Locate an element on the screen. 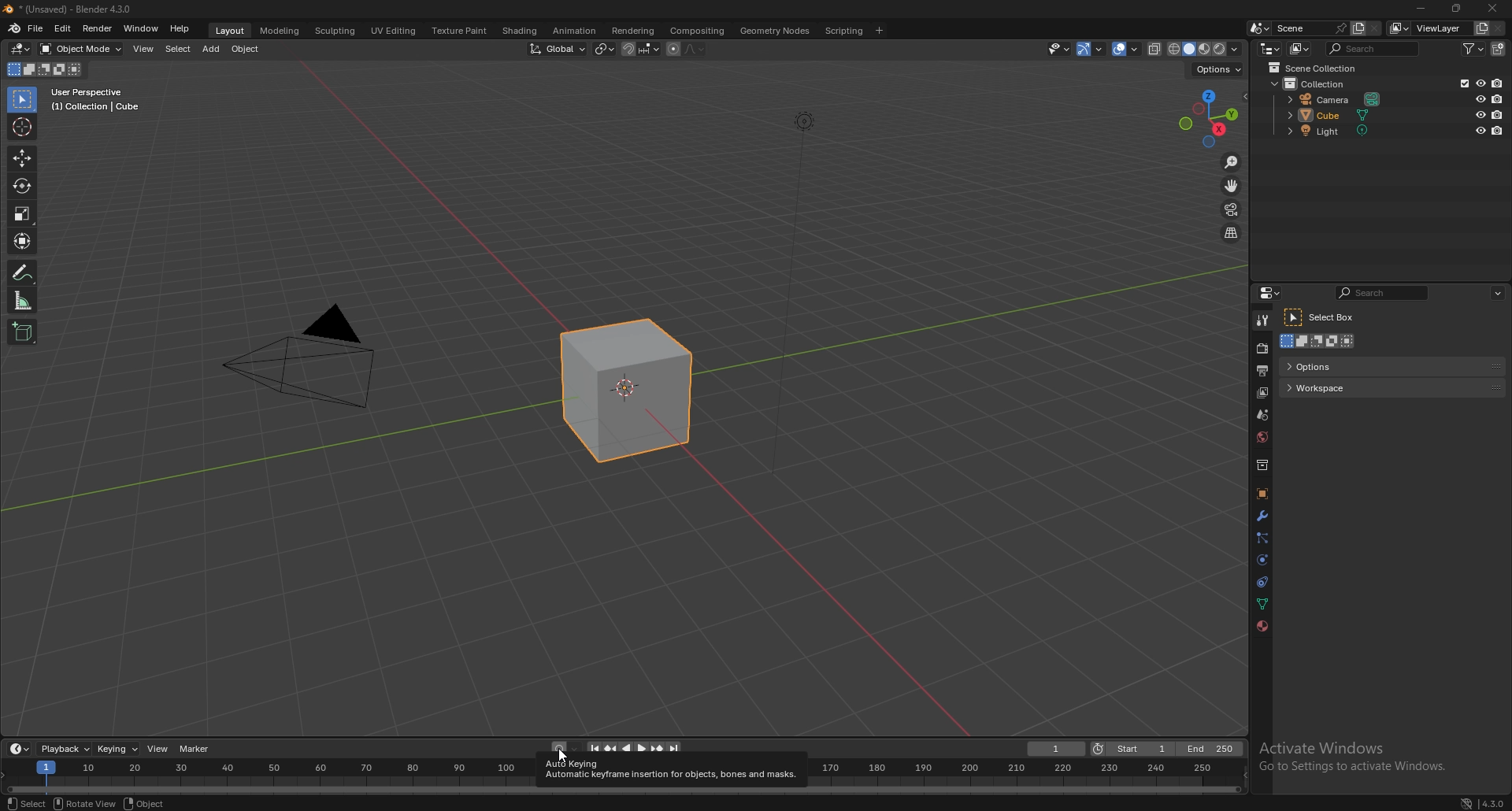  perspective/orthographic is located at coordinates (1231, 232).